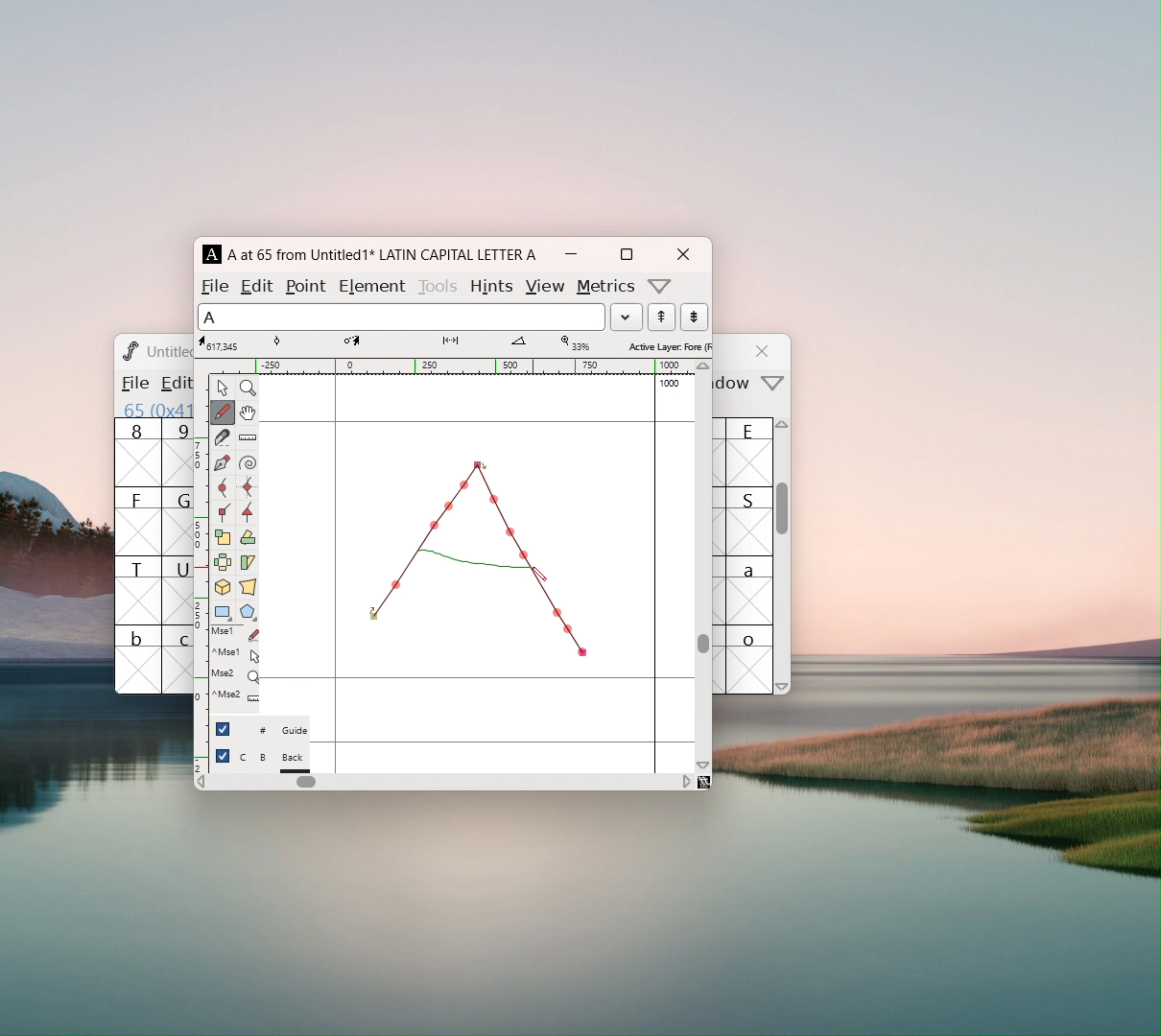 The image size is (1161, 1036). I want to click on checkbox, so click(223, 756).